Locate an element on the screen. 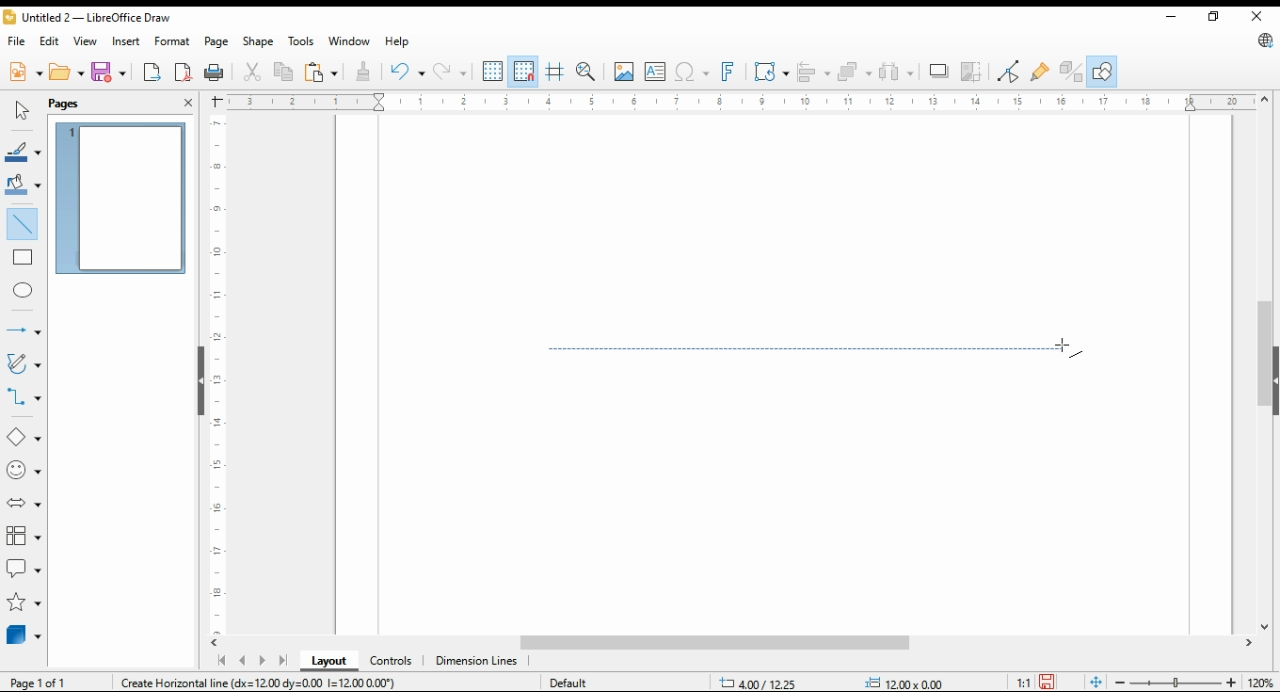 This screenshot has width=1280, height=692. zoom factor is located at coordinates (1262, 683).